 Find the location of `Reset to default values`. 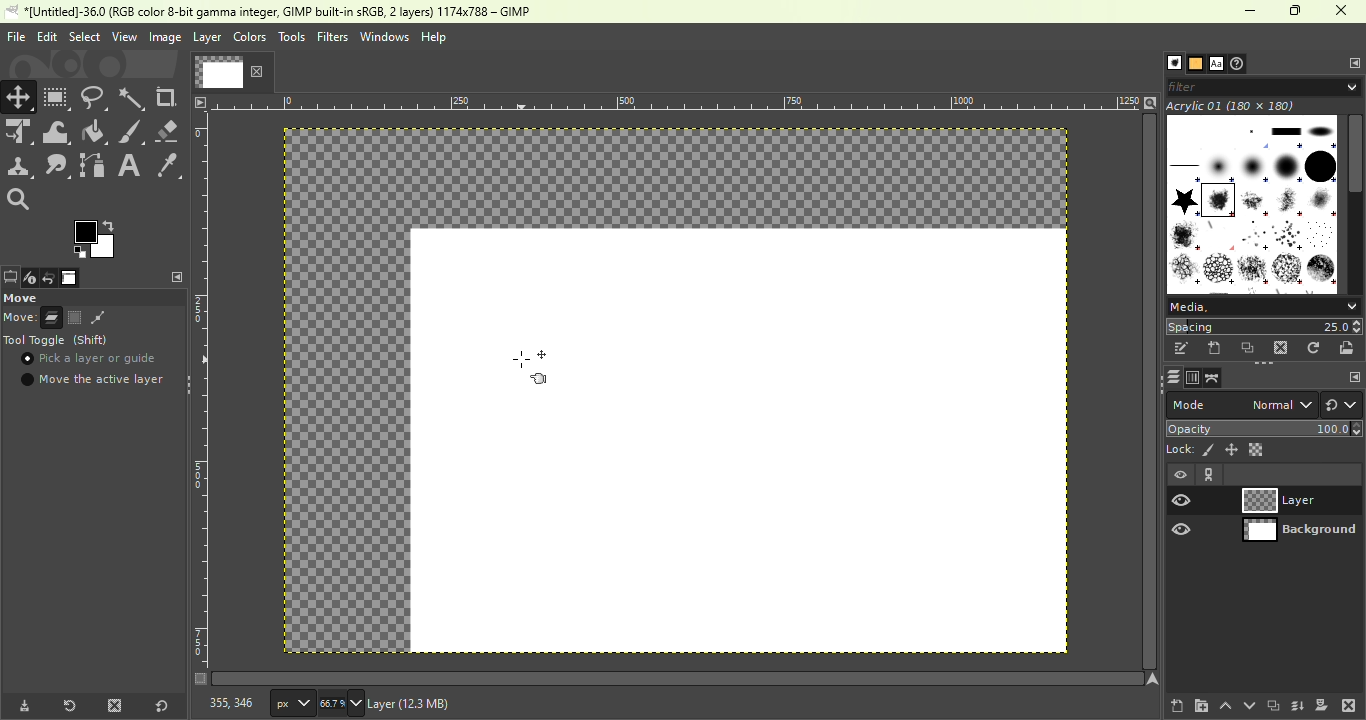

Reset to default values is located at coordinates (159, 703).